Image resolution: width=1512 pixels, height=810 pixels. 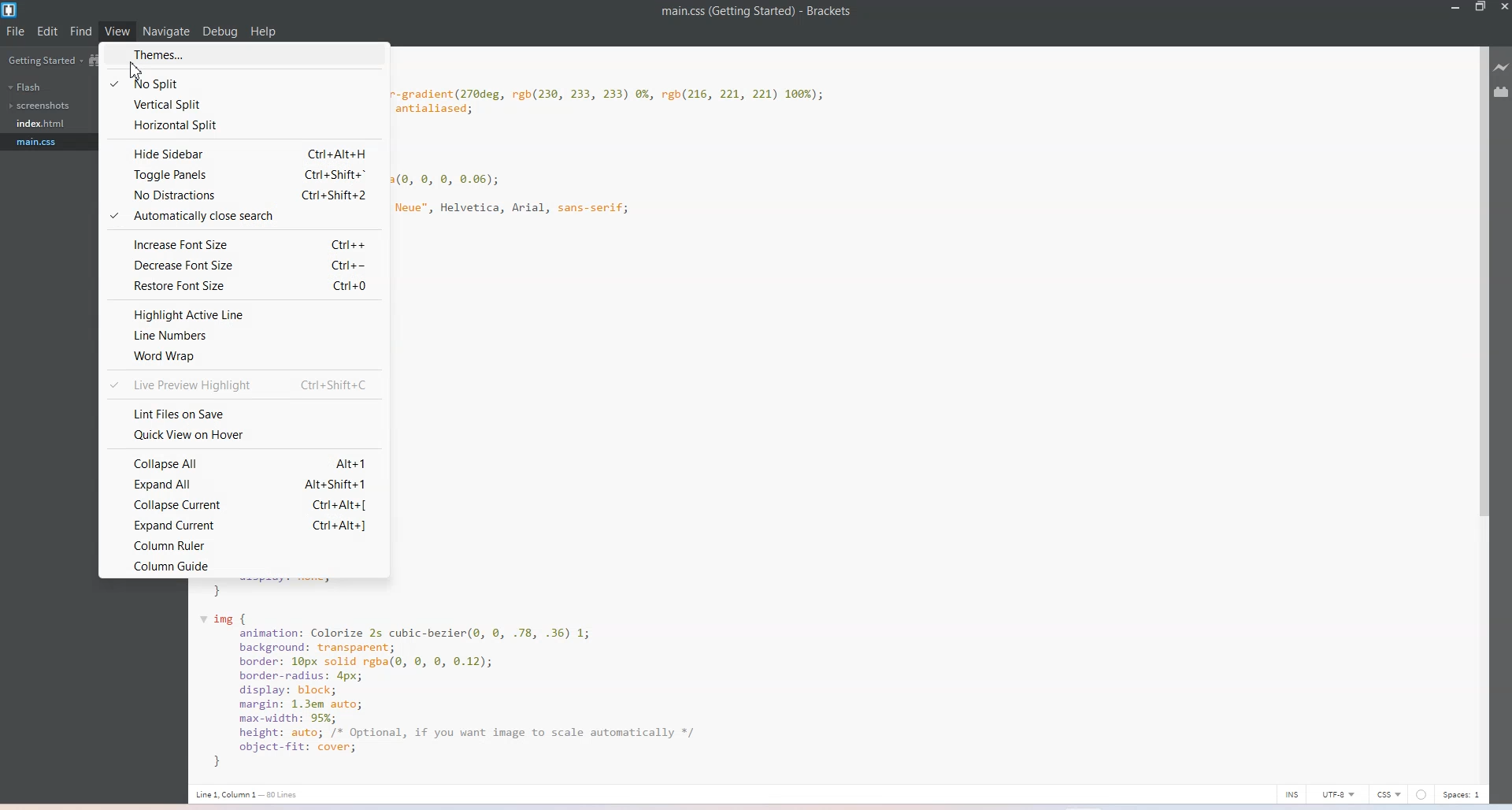 I want to click on Toggle panels, so click(x=246, y=175).